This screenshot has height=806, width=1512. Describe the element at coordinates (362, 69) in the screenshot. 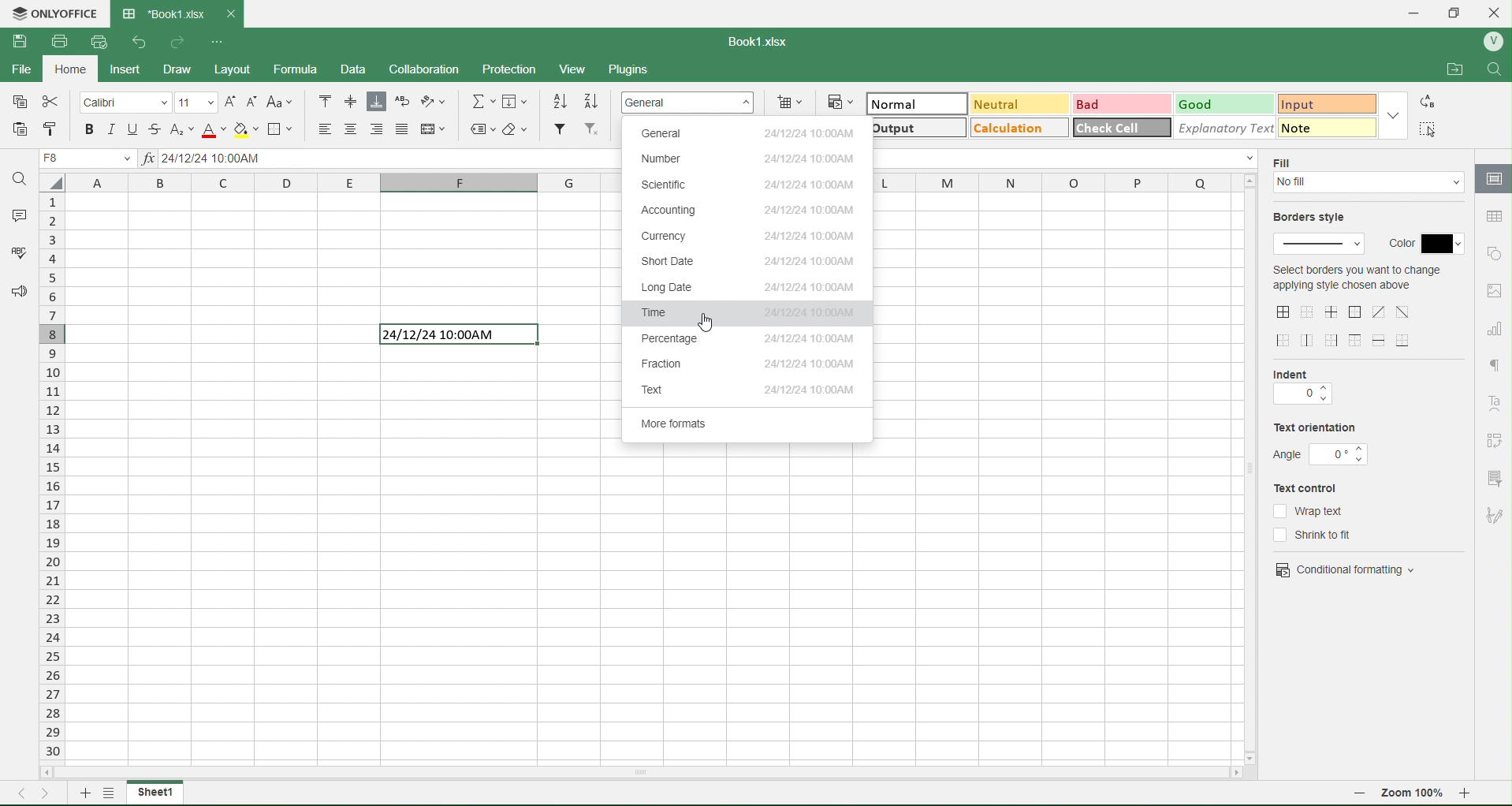

I see `Data` at that location.